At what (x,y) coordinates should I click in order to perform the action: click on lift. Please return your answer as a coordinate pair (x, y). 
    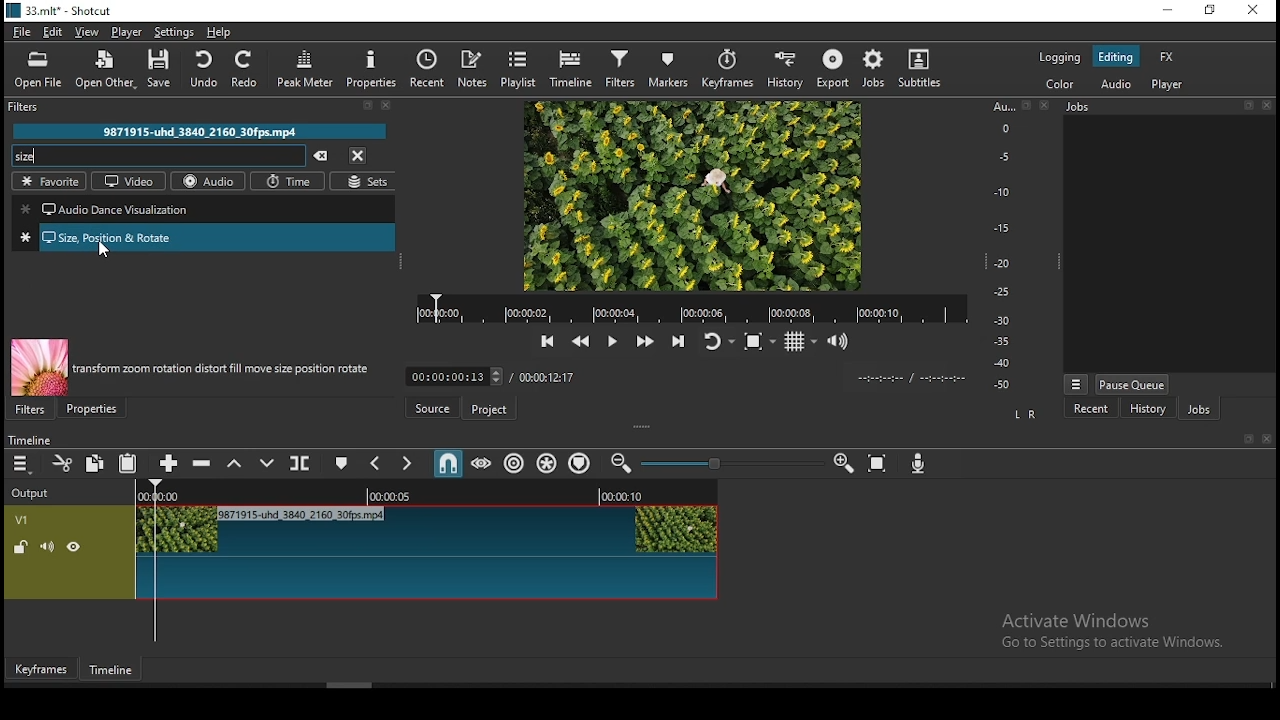
    Looking at the image, I should click on (233, 461).